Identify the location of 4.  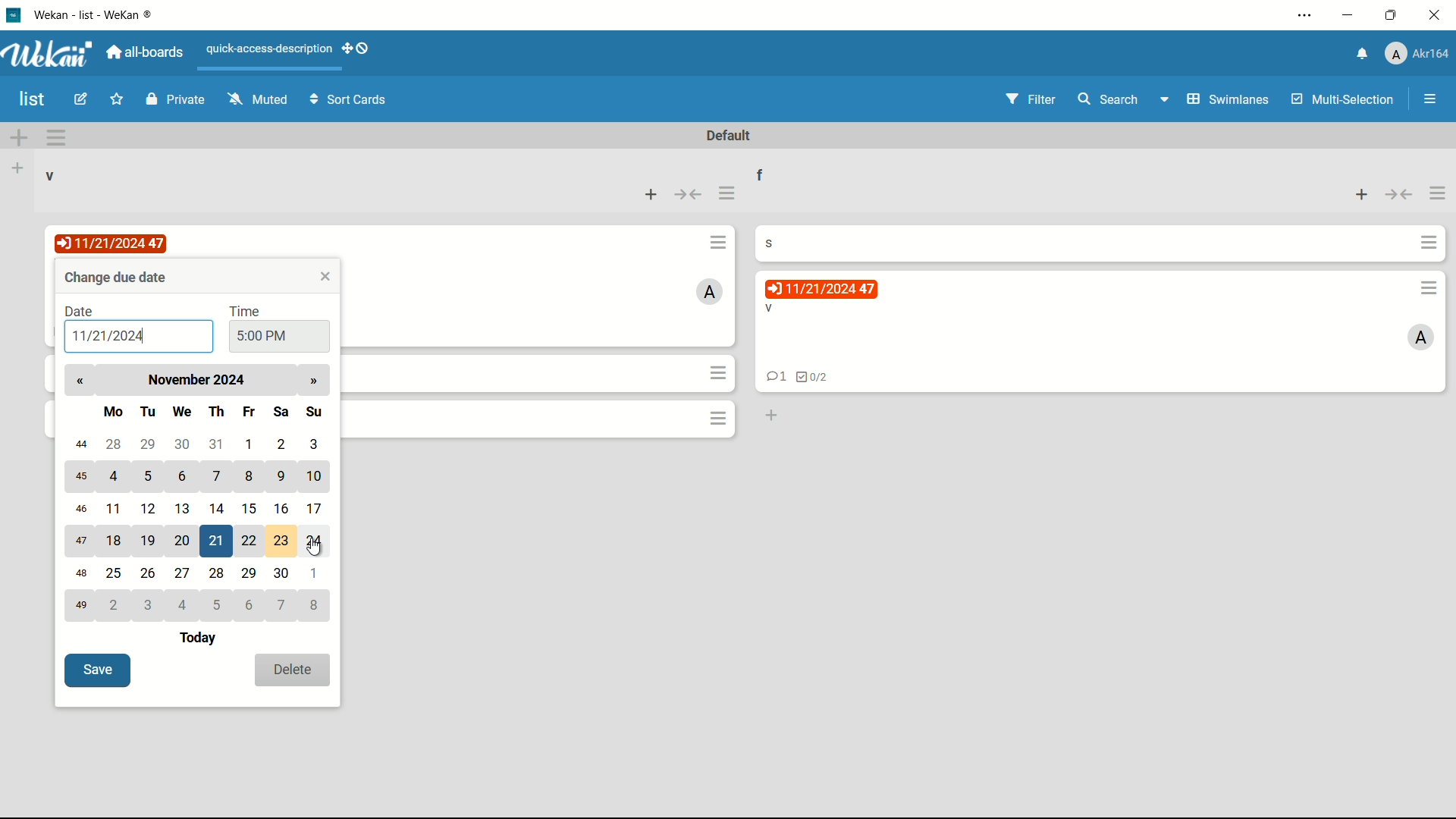
(116, 475).